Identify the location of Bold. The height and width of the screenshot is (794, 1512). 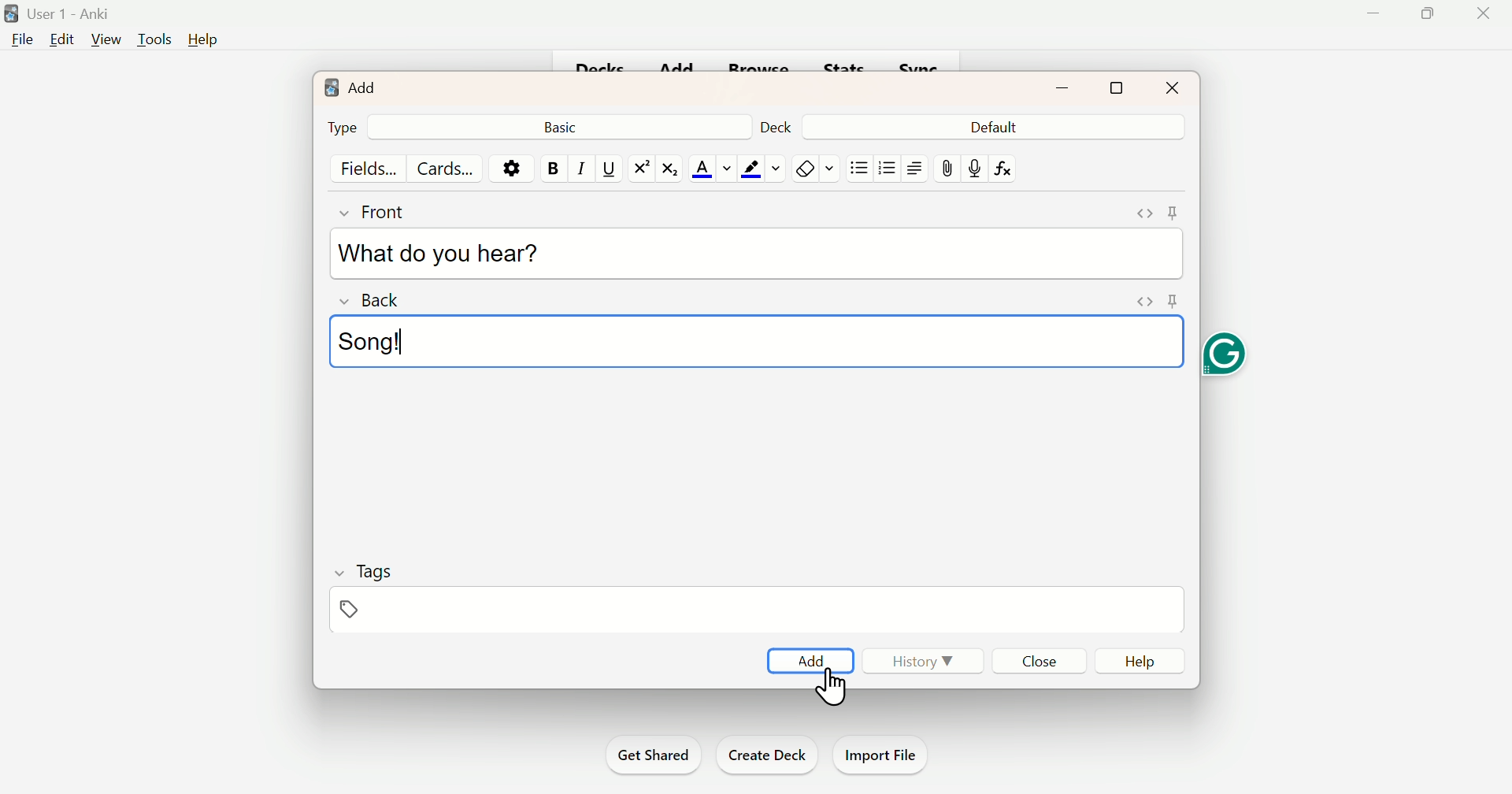
(549, 169).